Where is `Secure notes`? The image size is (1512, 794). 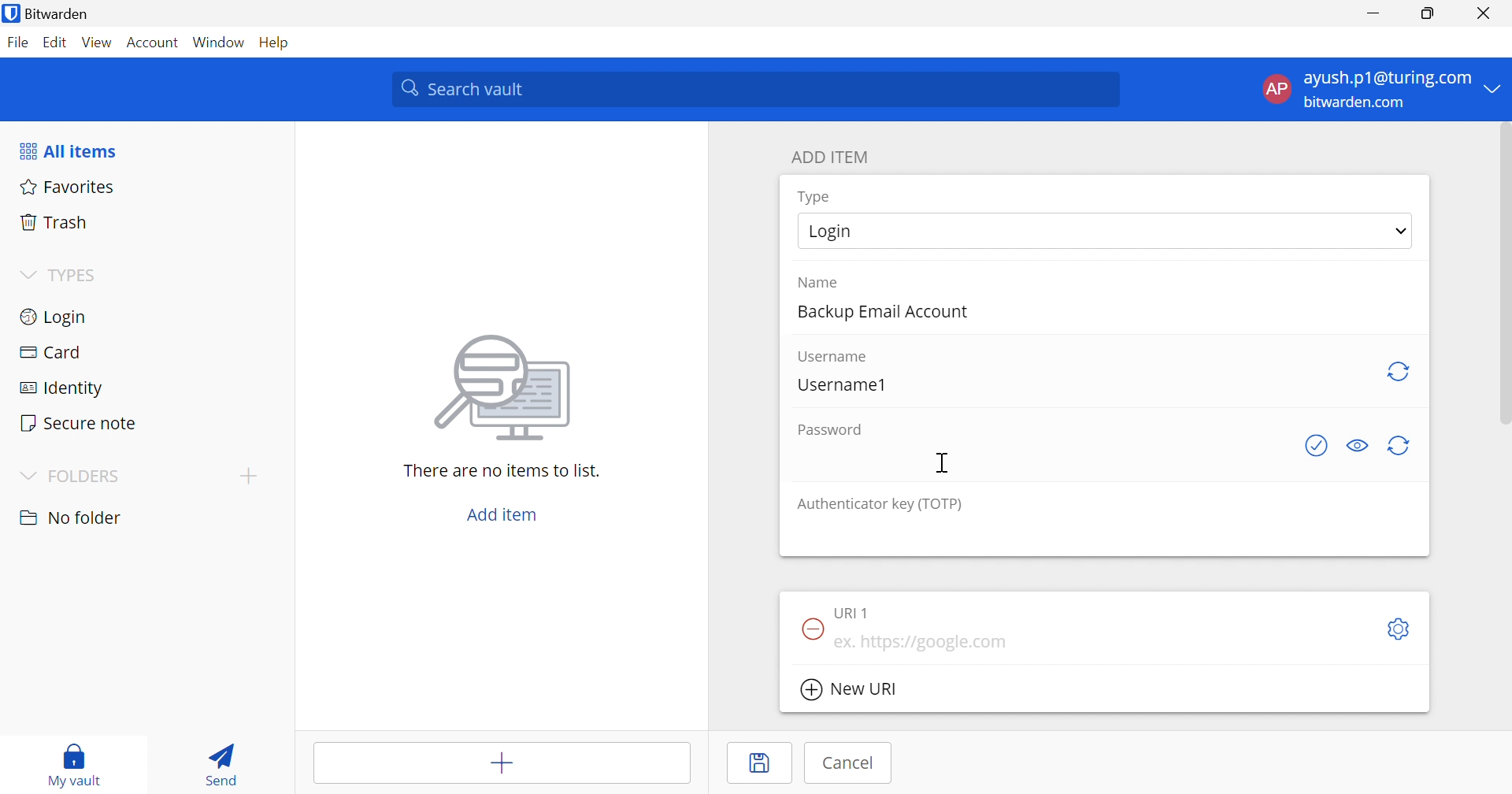
Secure notes is located at coordinates (80, 423).